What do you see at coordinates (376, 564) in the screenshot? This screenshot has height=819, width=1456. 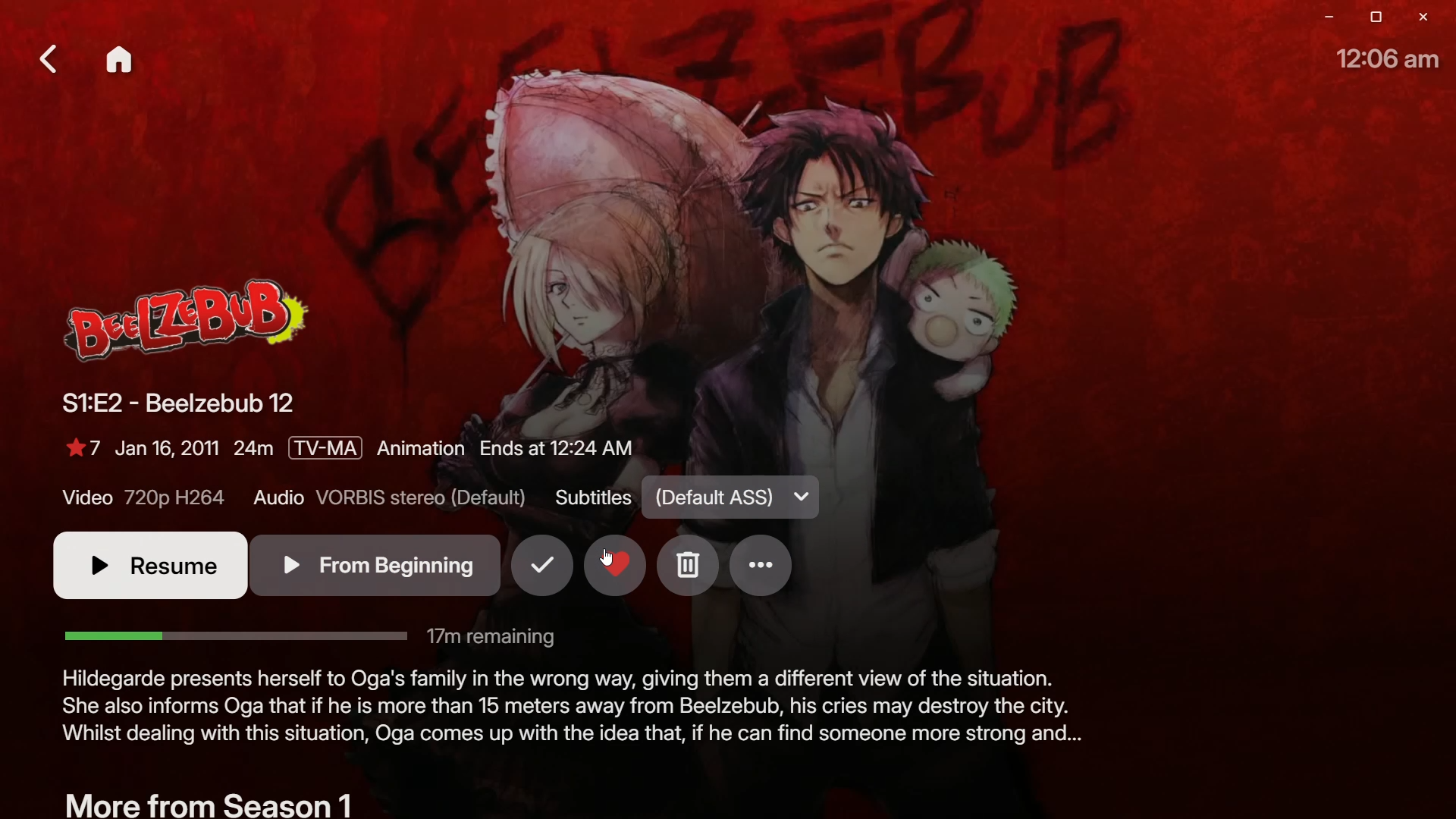 I see `From Beginning` at bounding box center [376, 564].